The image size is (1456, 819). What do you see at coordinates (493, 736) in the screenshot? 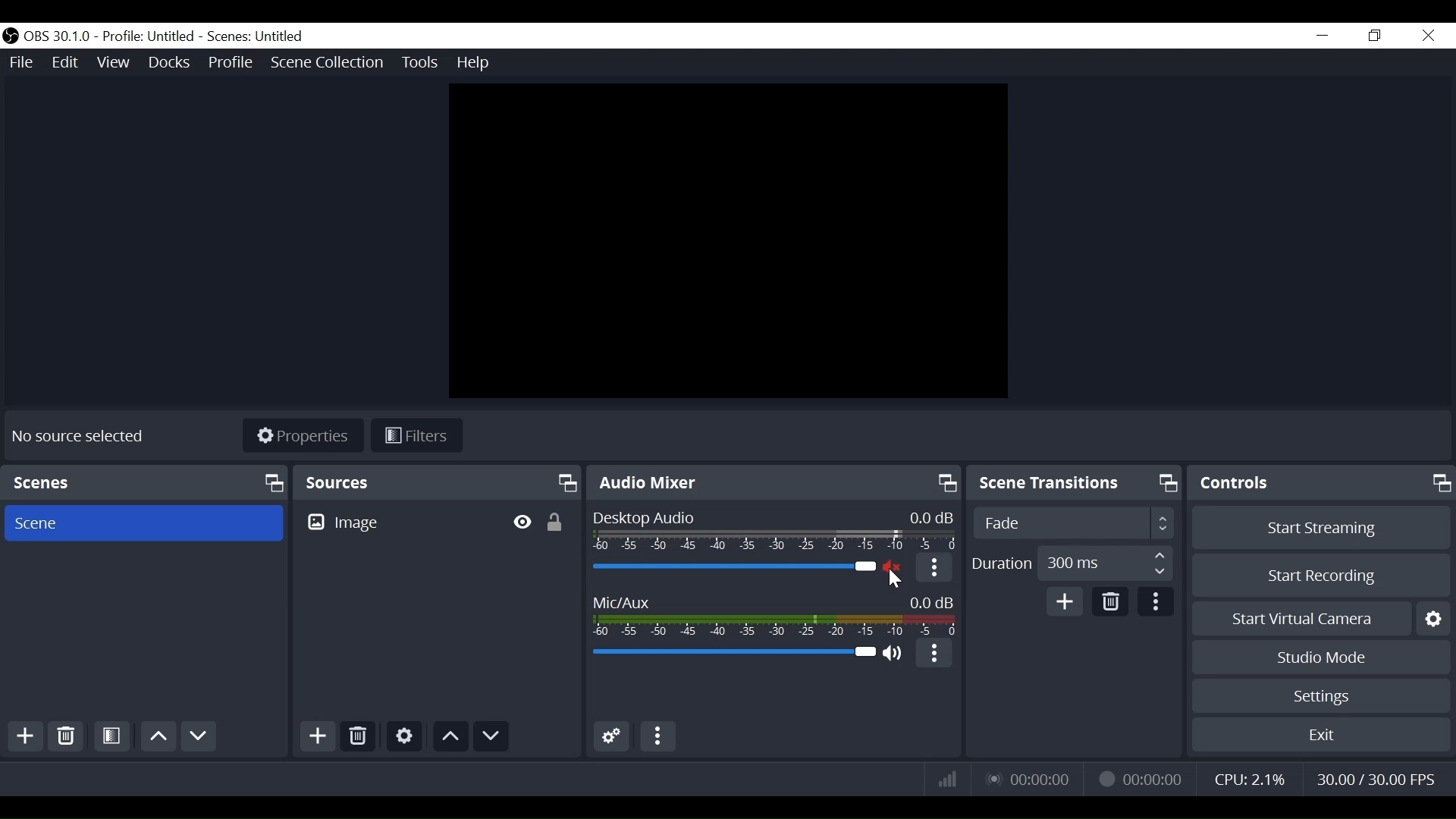
I see `Move down` at bounding box center [493, 736].